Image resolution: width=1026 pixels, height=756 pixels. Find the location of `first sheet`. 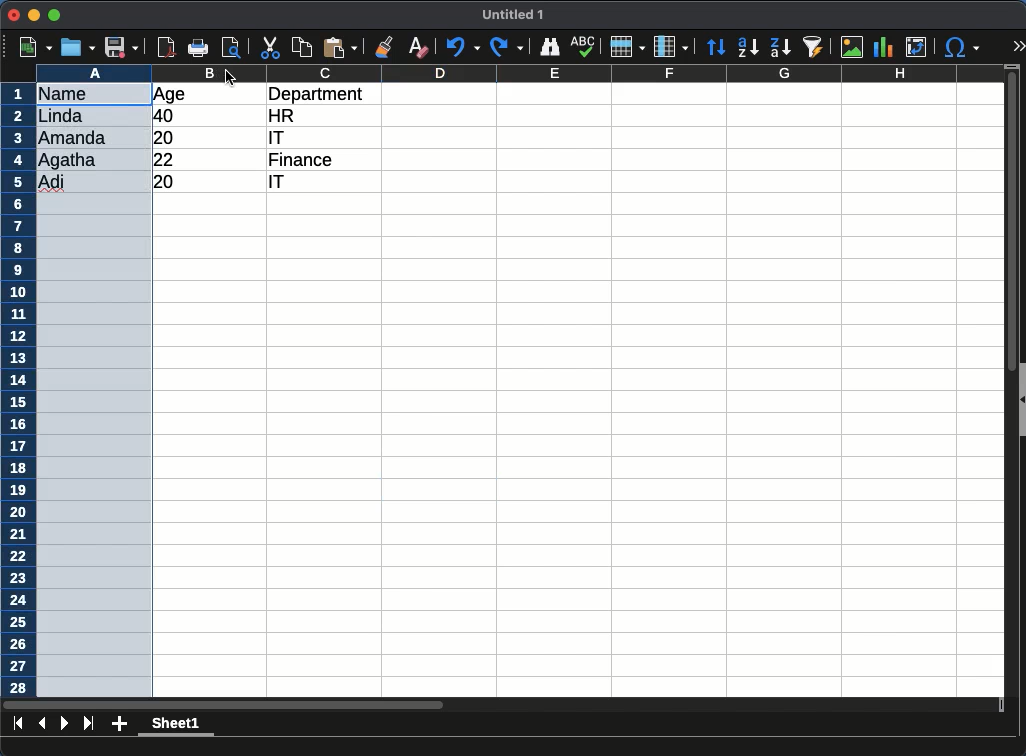

first sheet is located at coordinates (18, 723).